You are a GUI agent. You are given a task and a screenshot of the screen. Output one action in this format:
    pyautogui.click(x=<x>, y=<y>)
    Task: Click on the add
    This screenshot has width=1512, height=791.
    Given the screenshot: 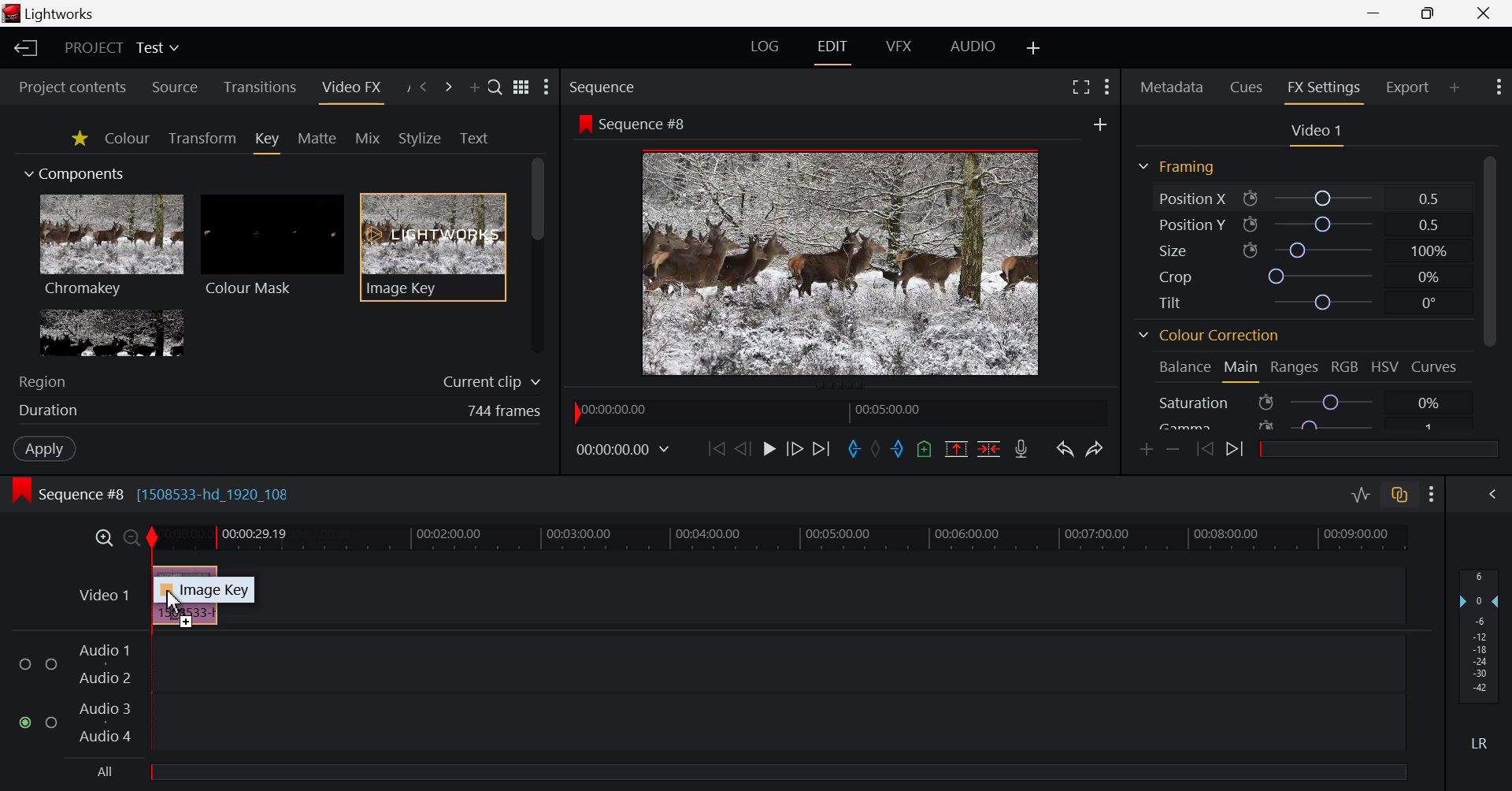 What is the action you would take?
    pyautogui.click(x=1099, y=126)
    